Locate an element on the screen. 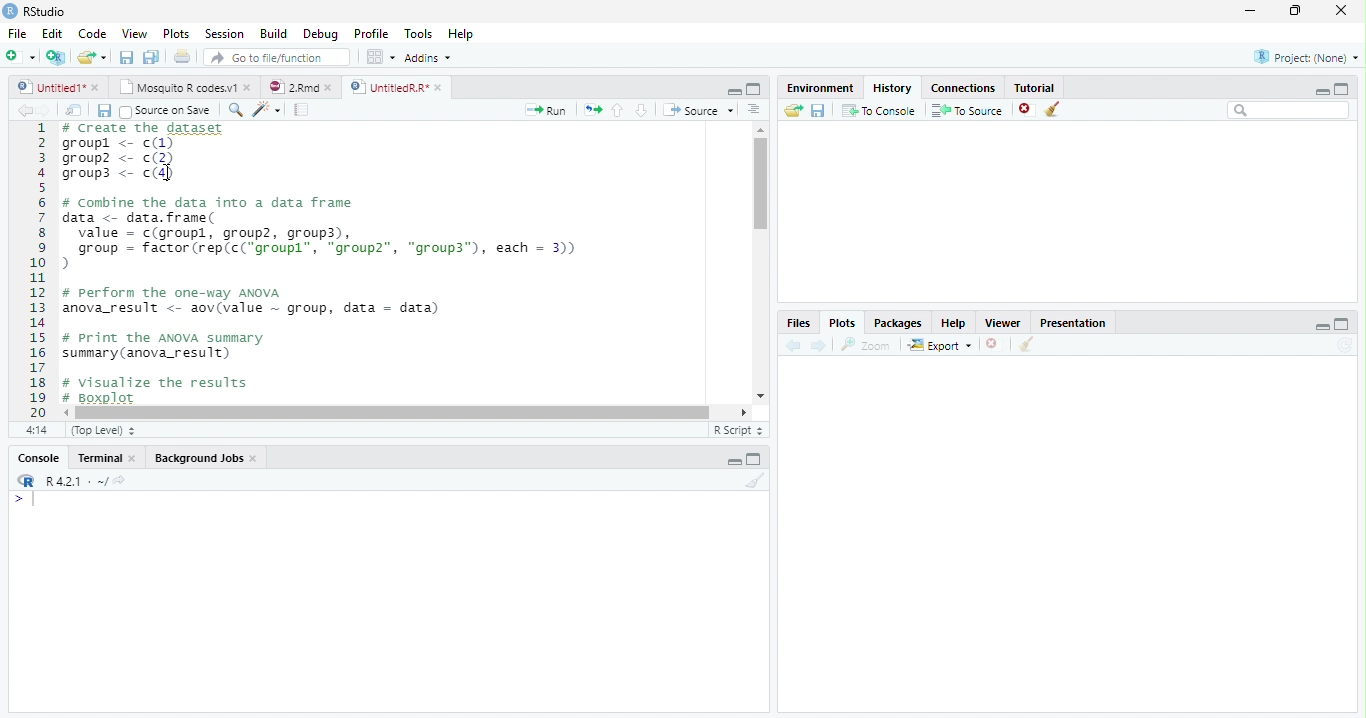  Cursor is located at coordinates (38, 501).